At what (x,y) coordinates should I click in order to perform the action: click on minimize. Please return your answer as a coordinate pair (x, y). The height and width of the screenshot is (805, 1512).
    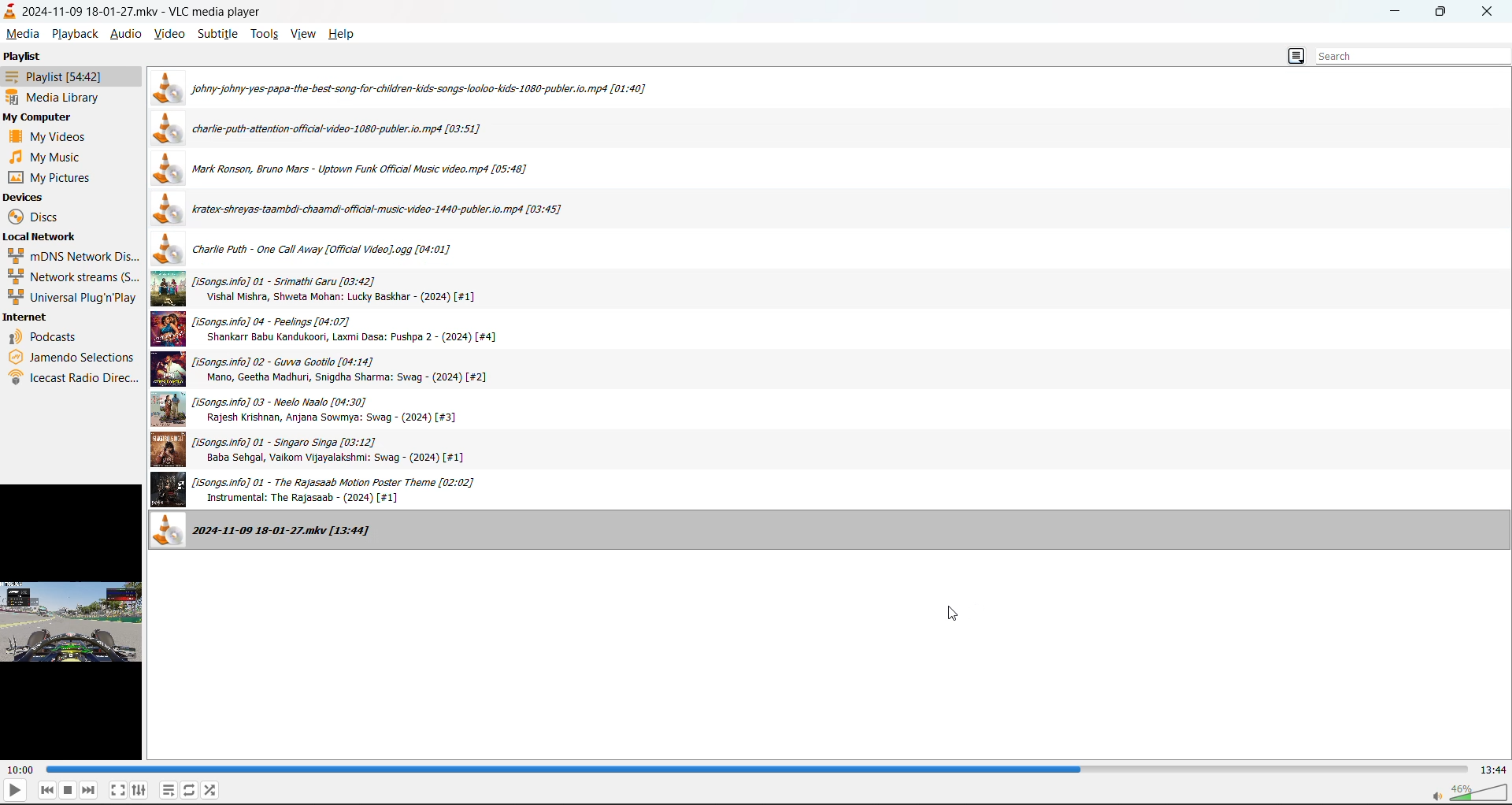
    Looking at the image, I should click on (1401, 14).